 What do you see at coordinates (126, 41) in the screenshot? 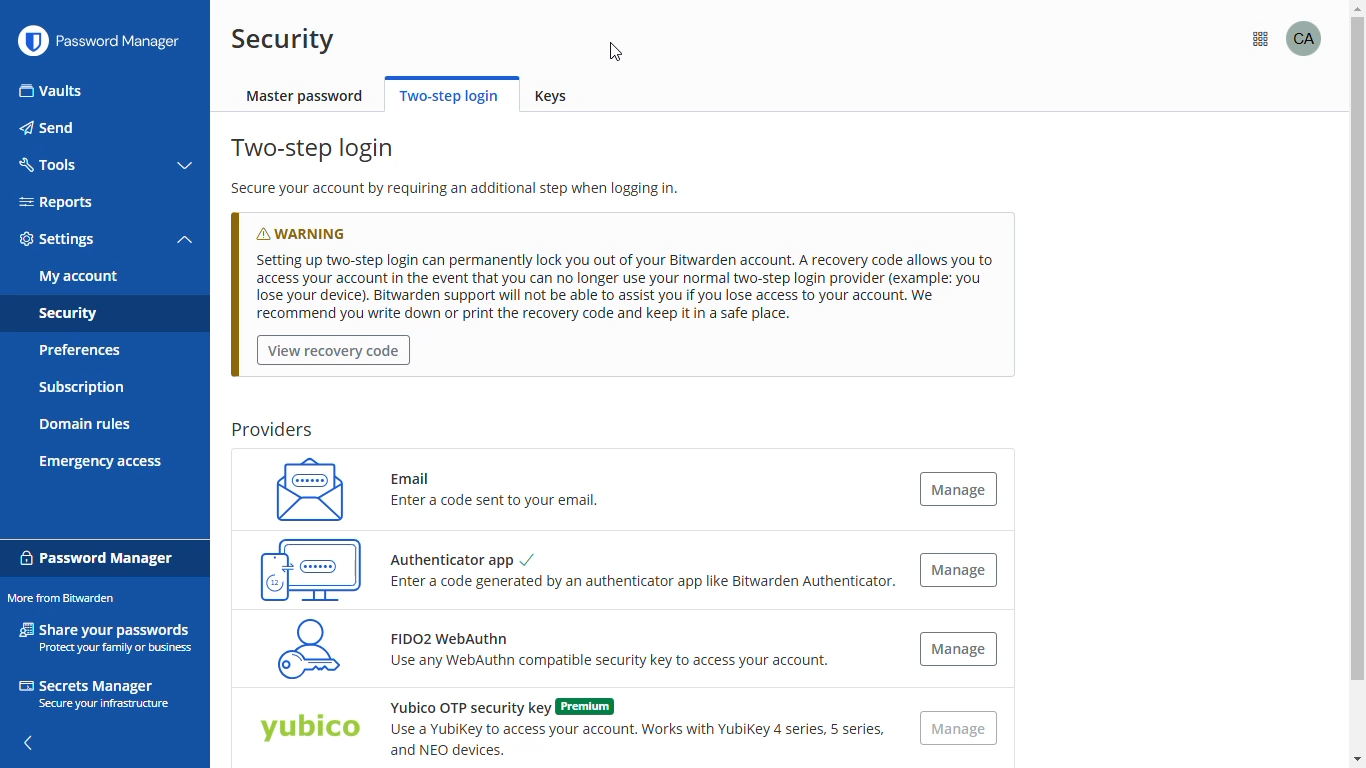
I see `password manager` at bounding box center [126, 41].